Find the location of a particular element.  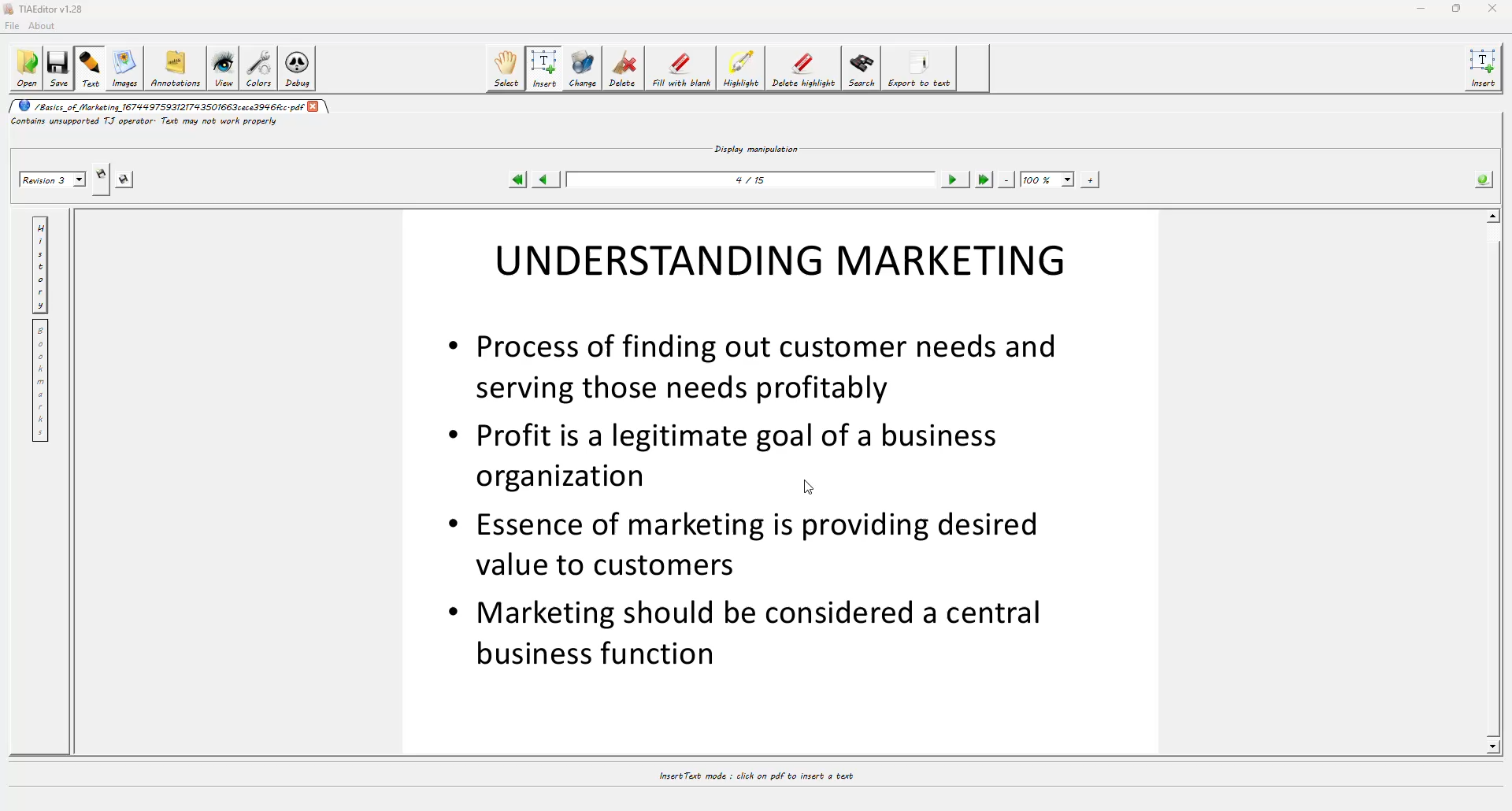

delete is located at coordinates (624, 67).